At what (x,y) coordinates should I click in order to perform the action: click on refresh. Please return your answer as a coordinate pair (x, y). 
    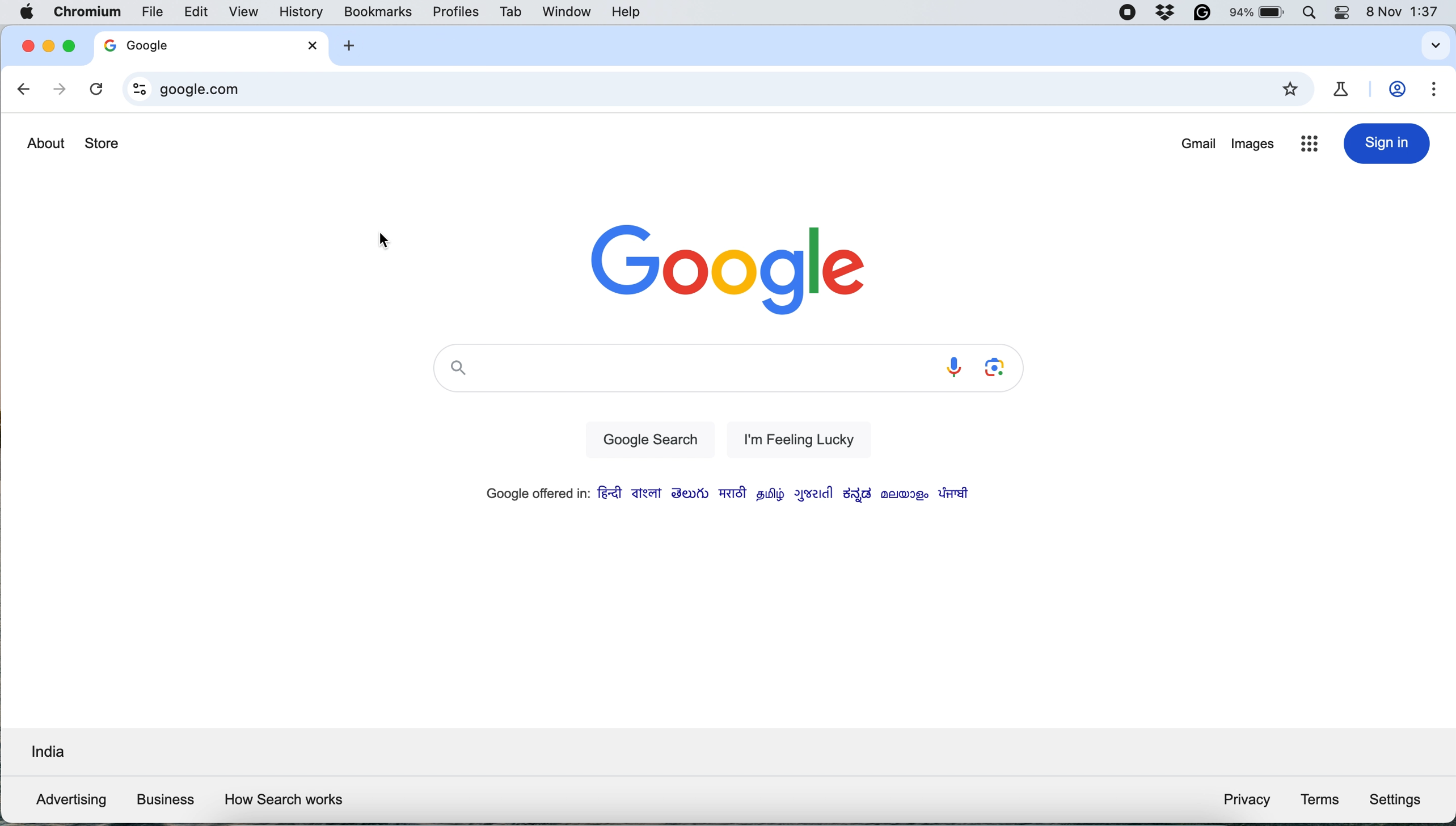
    Looking at the image, I should click on (95, 90).